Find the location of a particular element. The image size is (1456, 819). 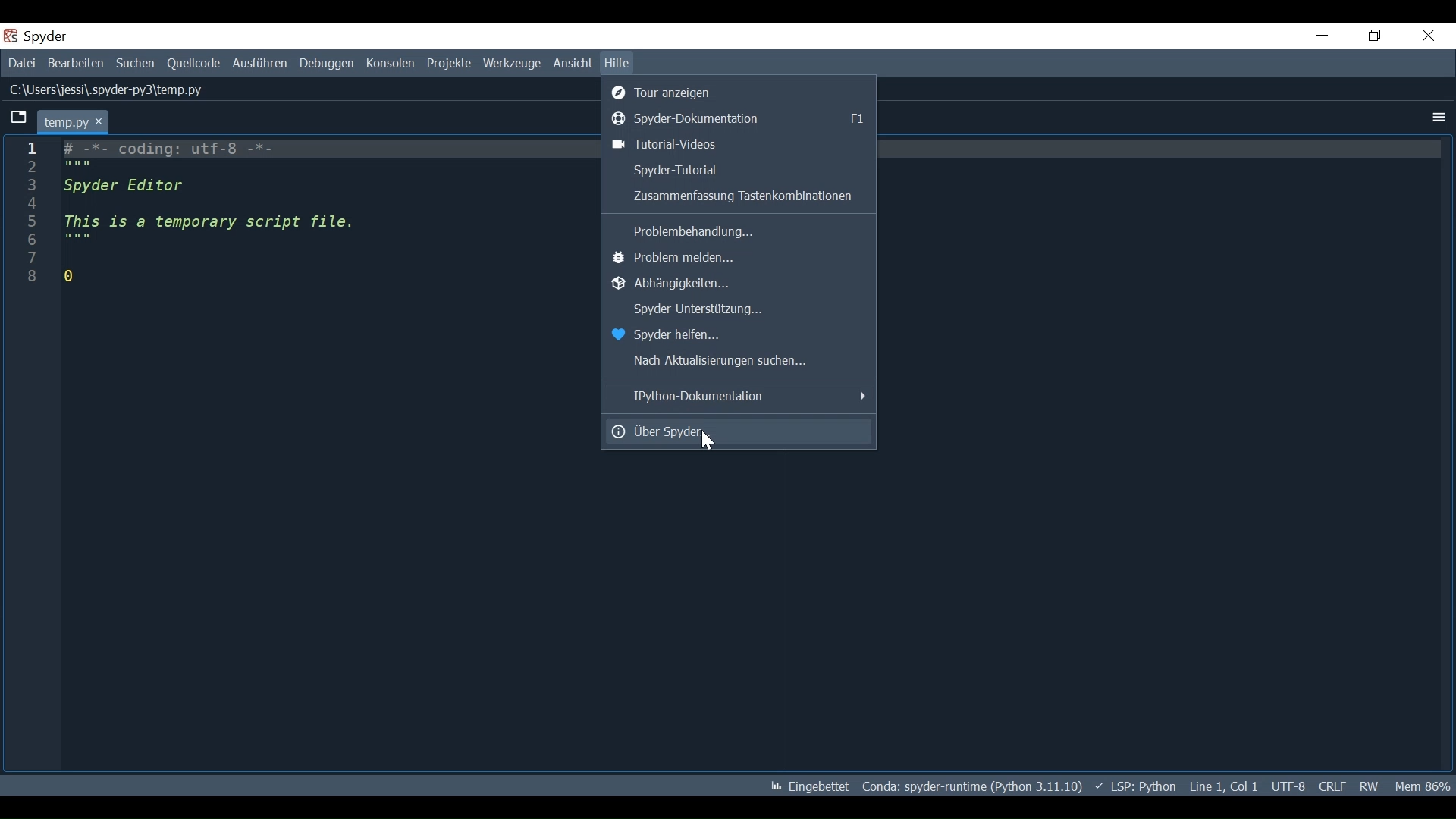

More options is located at coordinates (1437, 117).